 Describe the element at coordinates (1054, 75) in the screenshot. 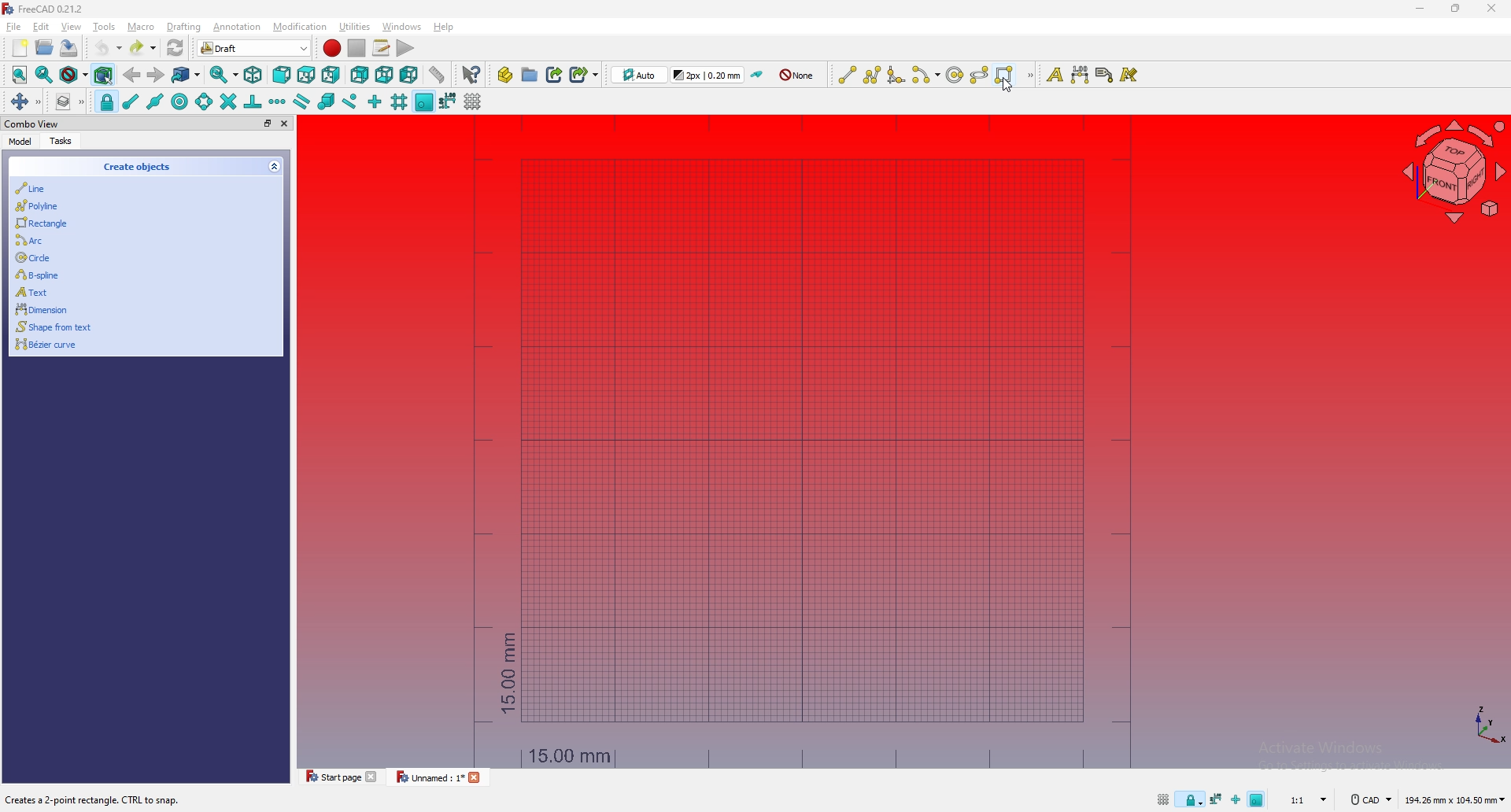

I see `text` at that location.